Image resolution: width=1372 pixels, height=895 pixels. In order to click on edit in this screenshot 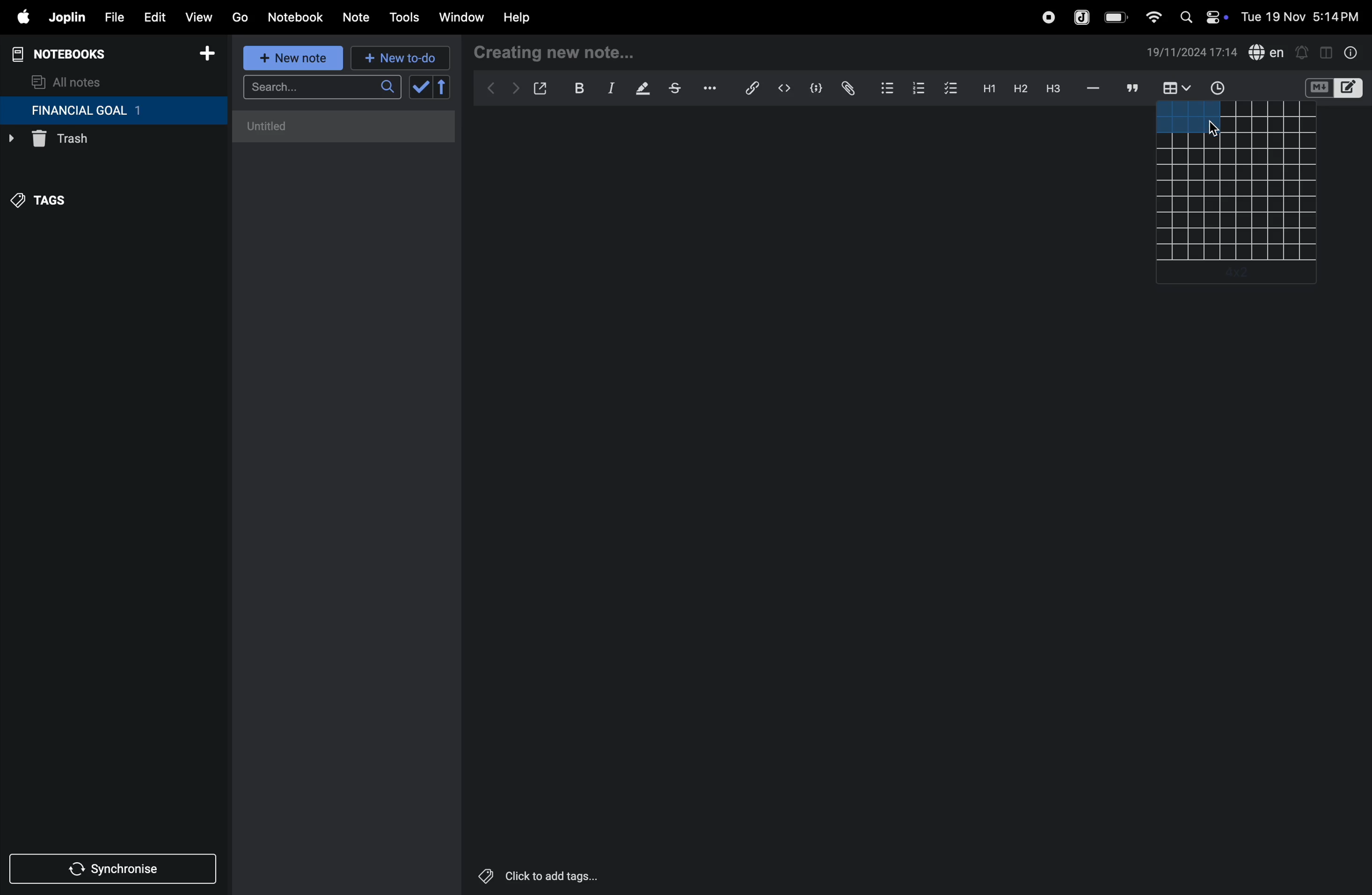, I will do `click(149, 14)`.